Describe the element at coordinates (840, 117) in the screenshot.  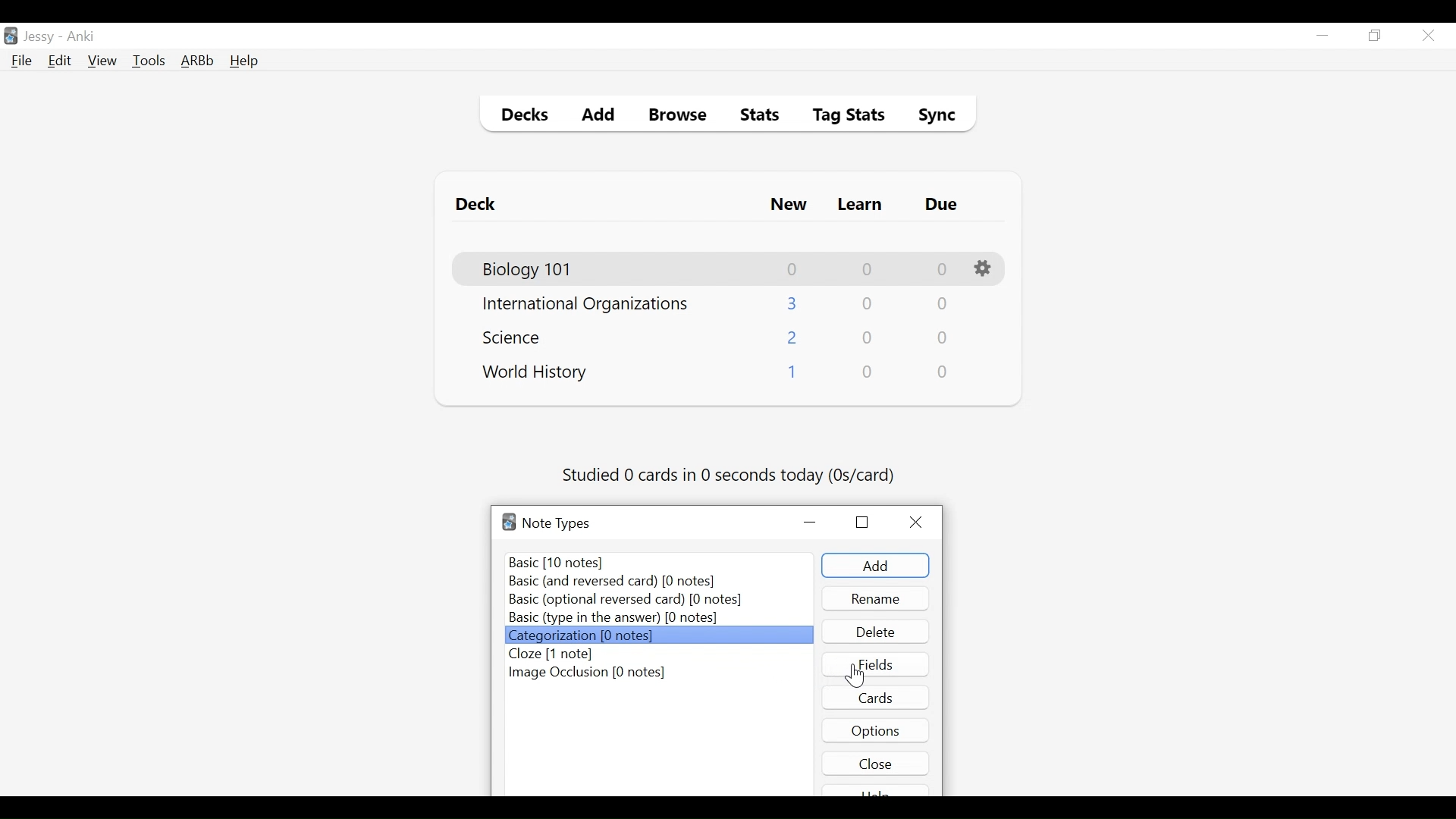
I see `Tag Stats` at that location.